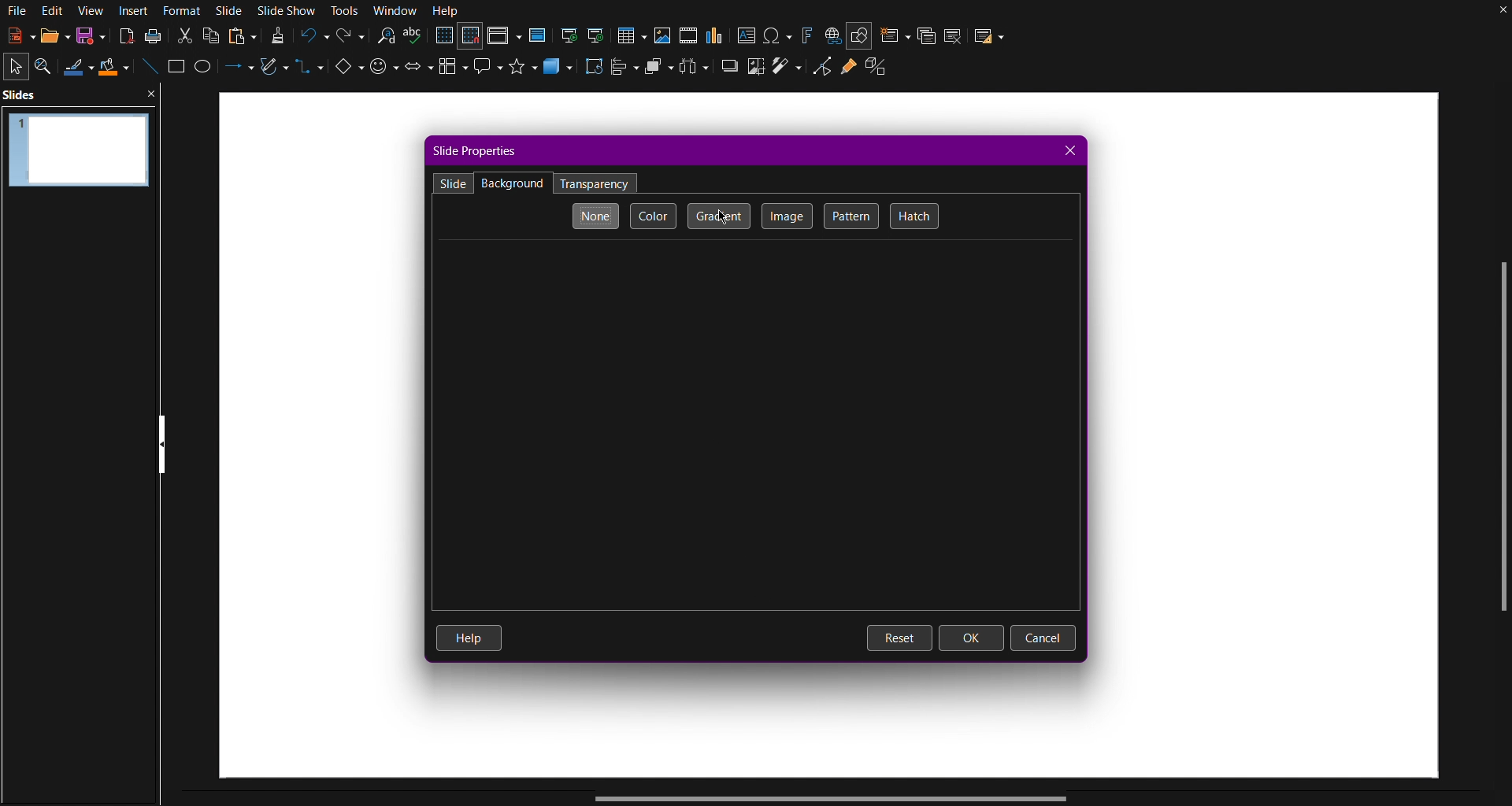  I want to click on View, so click(91, 10).